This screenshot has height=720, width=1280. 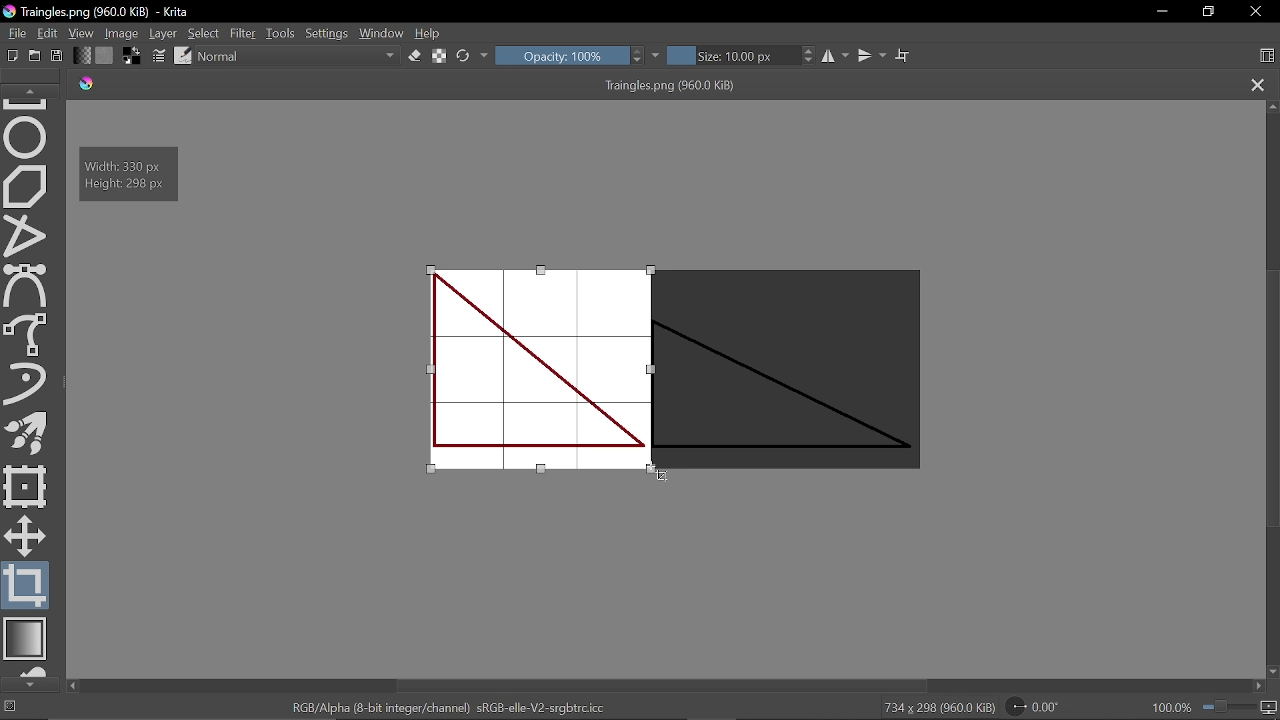 I want to click on Crop tool, so click(x=26, y=586).